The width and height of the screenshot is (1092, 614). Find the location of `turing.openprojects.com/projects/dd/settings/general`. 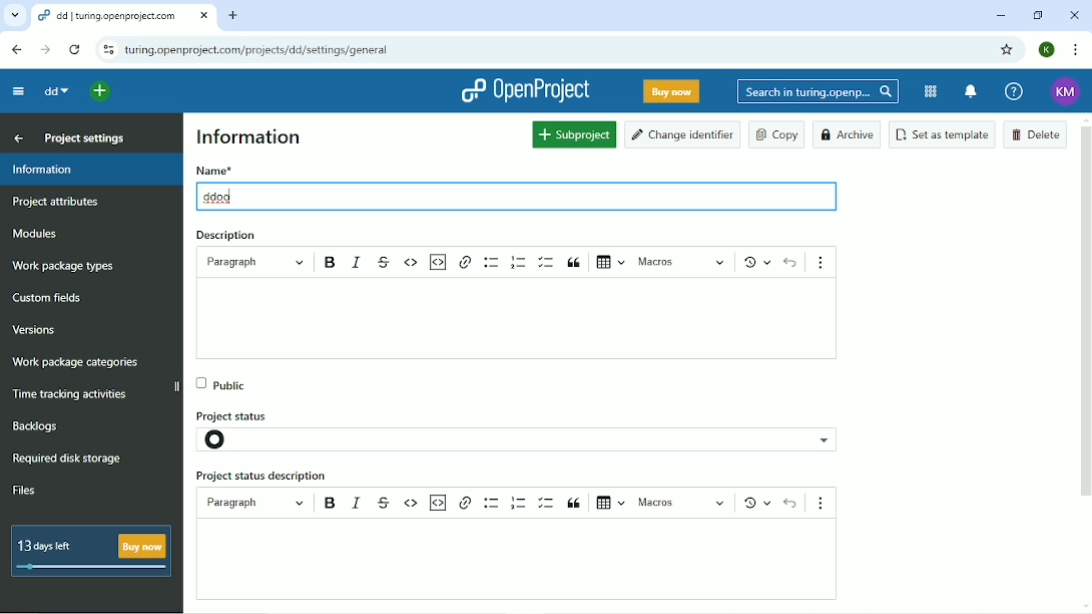

turing.openprojects.com/projects/dd/settings/general is located at coordinates (263, 49).